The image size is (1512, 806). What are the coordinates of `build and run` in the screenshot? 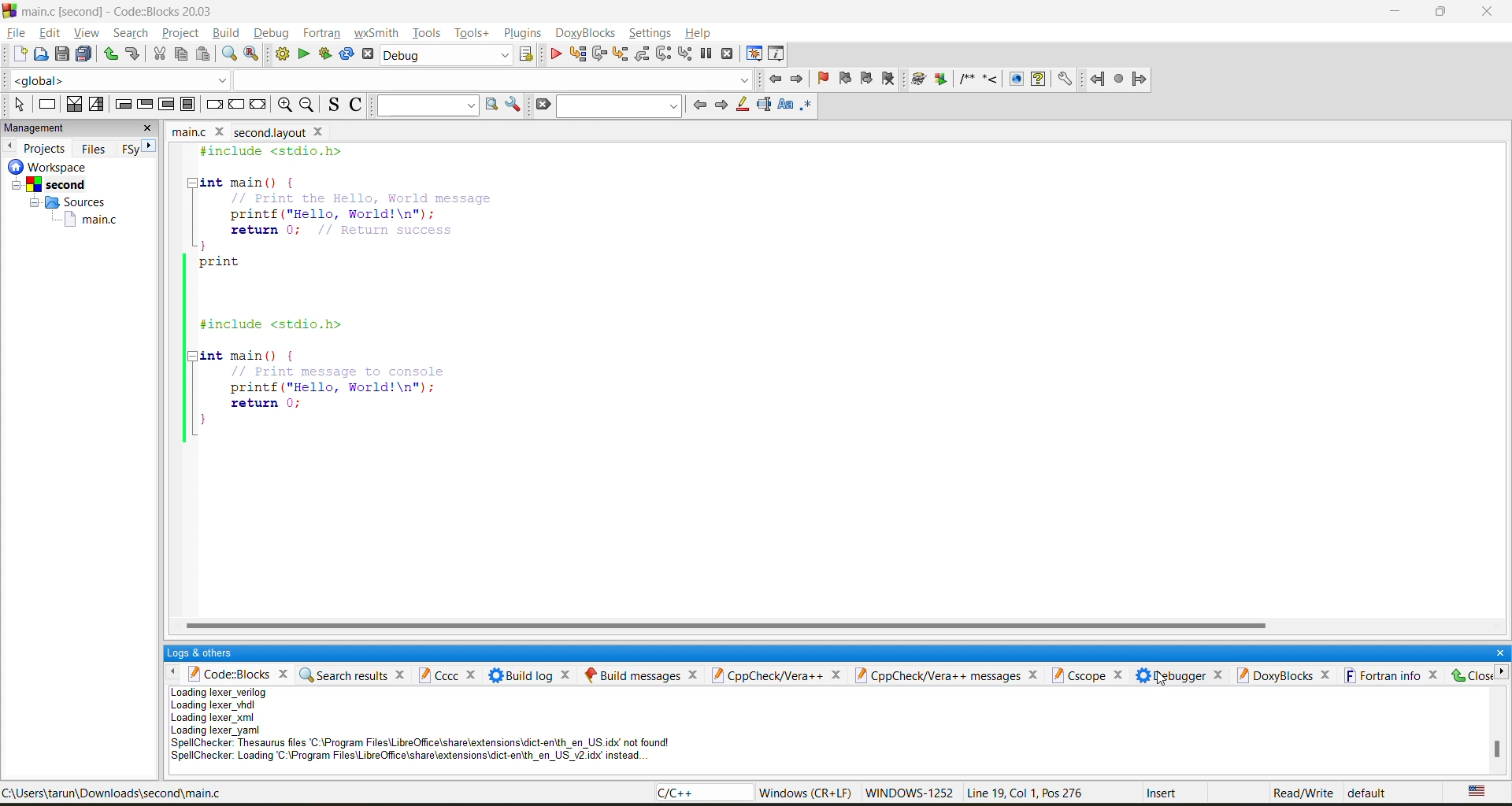 It's located at (324, 53).